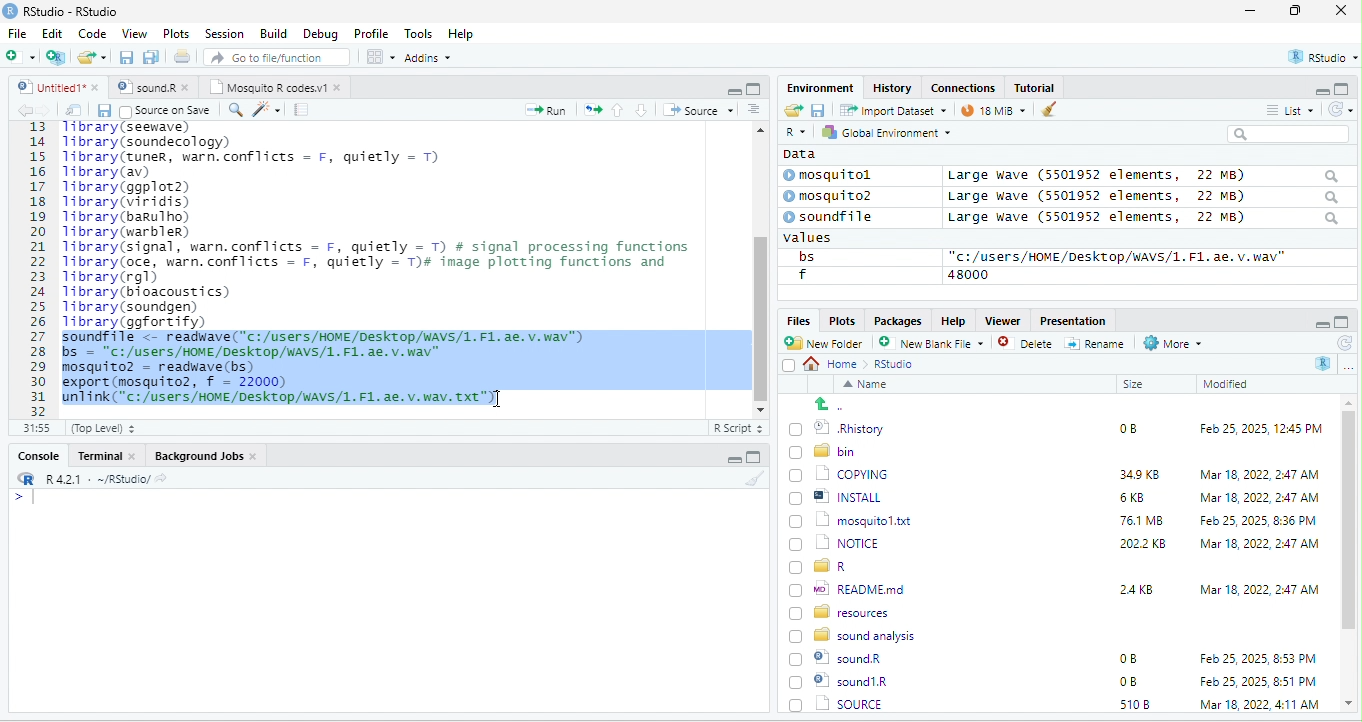  I want to click on Large wave (5501952 elements, 22 MB), so click(1144, 219).